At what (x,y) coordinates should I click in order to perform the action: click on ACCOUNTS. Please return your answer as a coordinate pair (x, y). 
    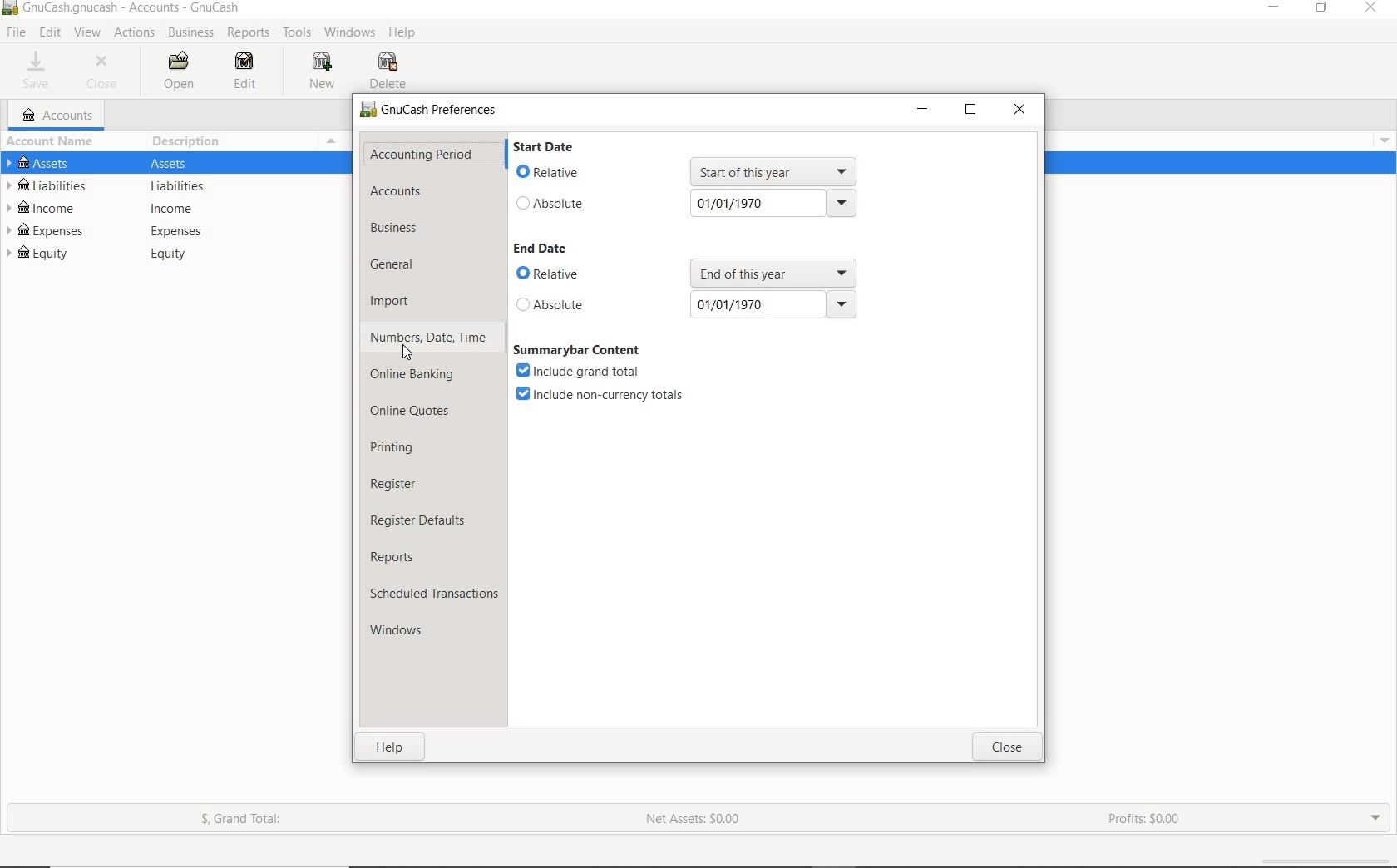
    Looking at the image, I should click on (59, 116).